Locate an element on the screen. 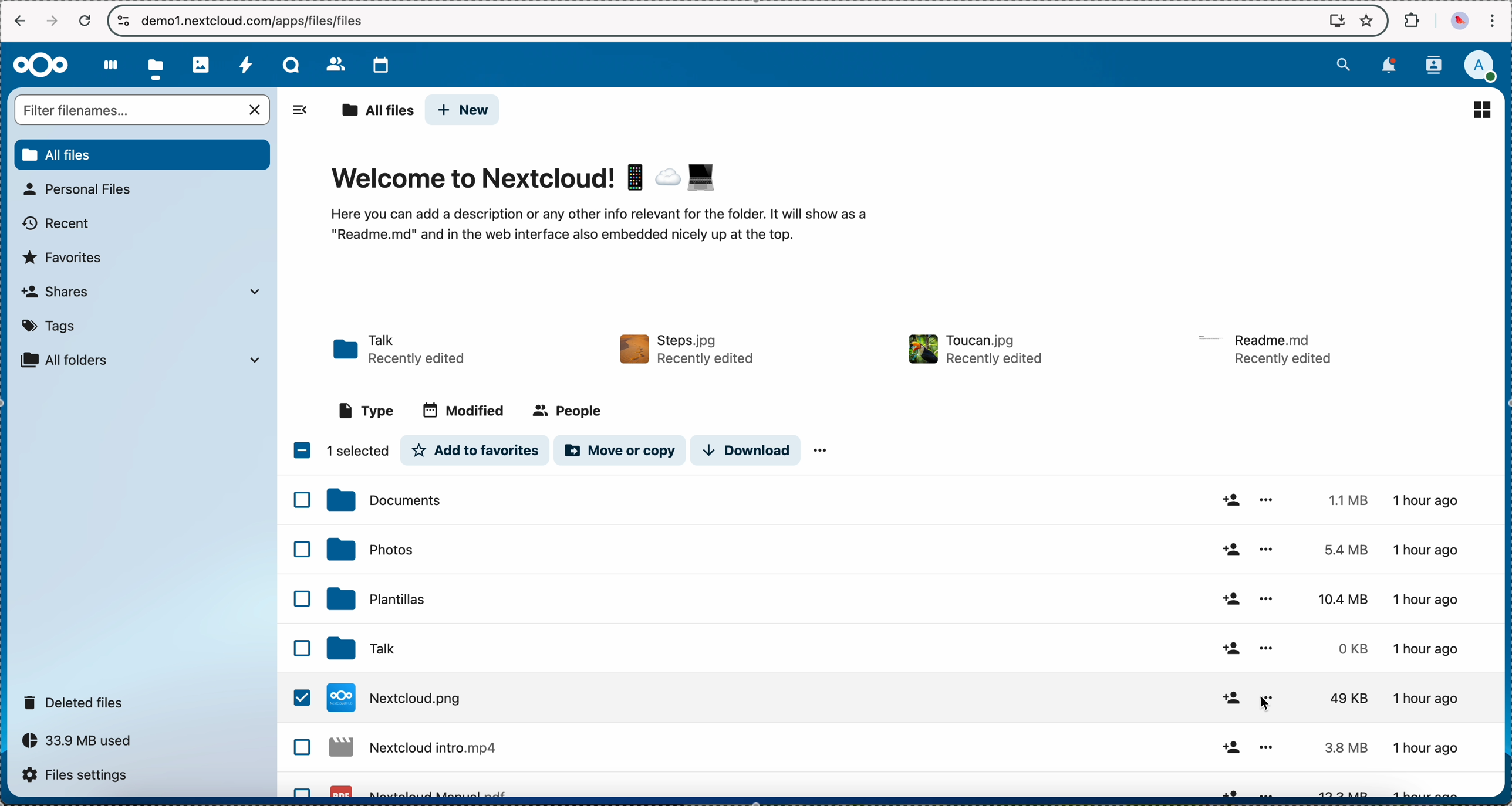 This screenshot has width=1512, height=806. all folder is located at coordinates (146, 359).